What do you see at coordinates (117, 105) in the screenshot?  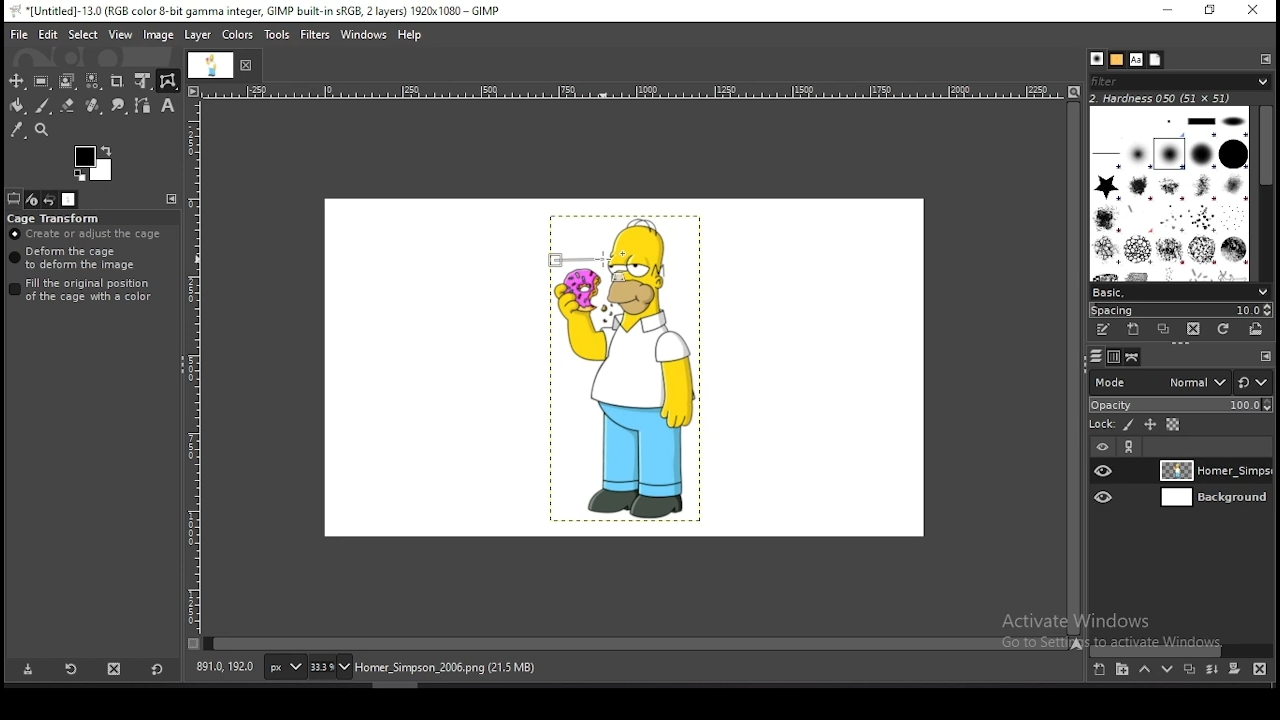 I see `smudge tool` at bounding box center [117, 105].